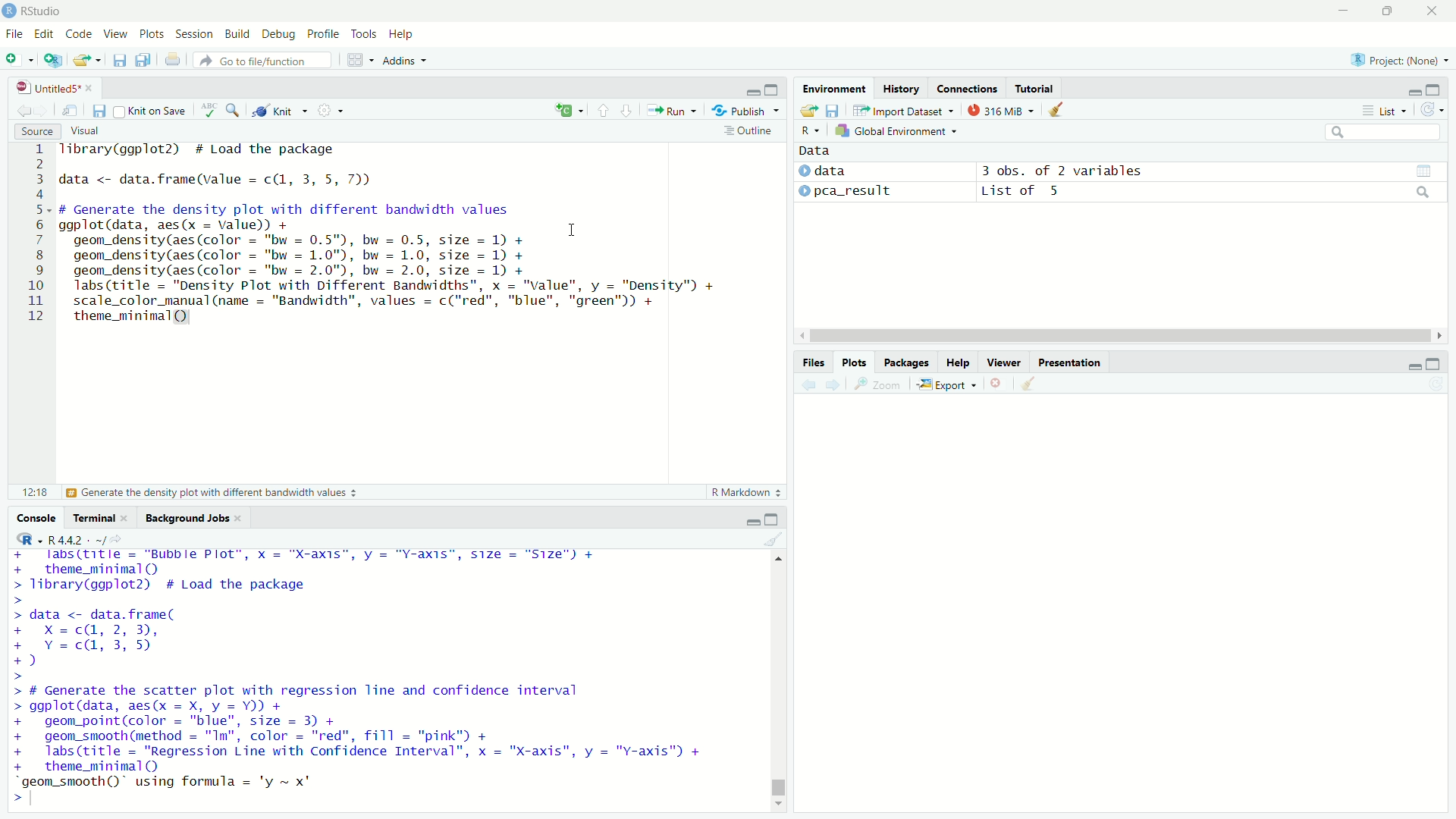 This screenshot has height=819, width=1456. I want to click on minimize, so click(1343, 11).